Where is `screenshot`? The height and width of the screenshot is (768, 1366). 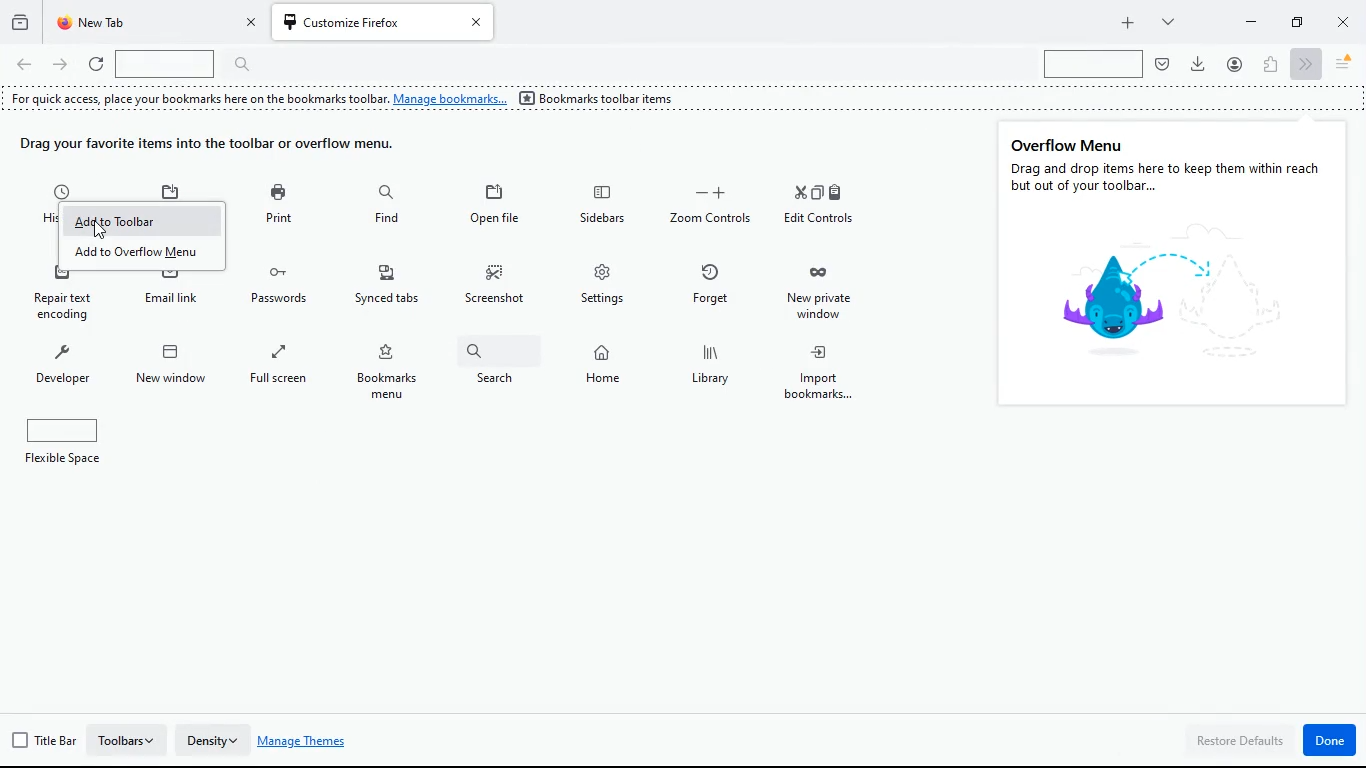
screenshot is located at coordinates (498, 284).